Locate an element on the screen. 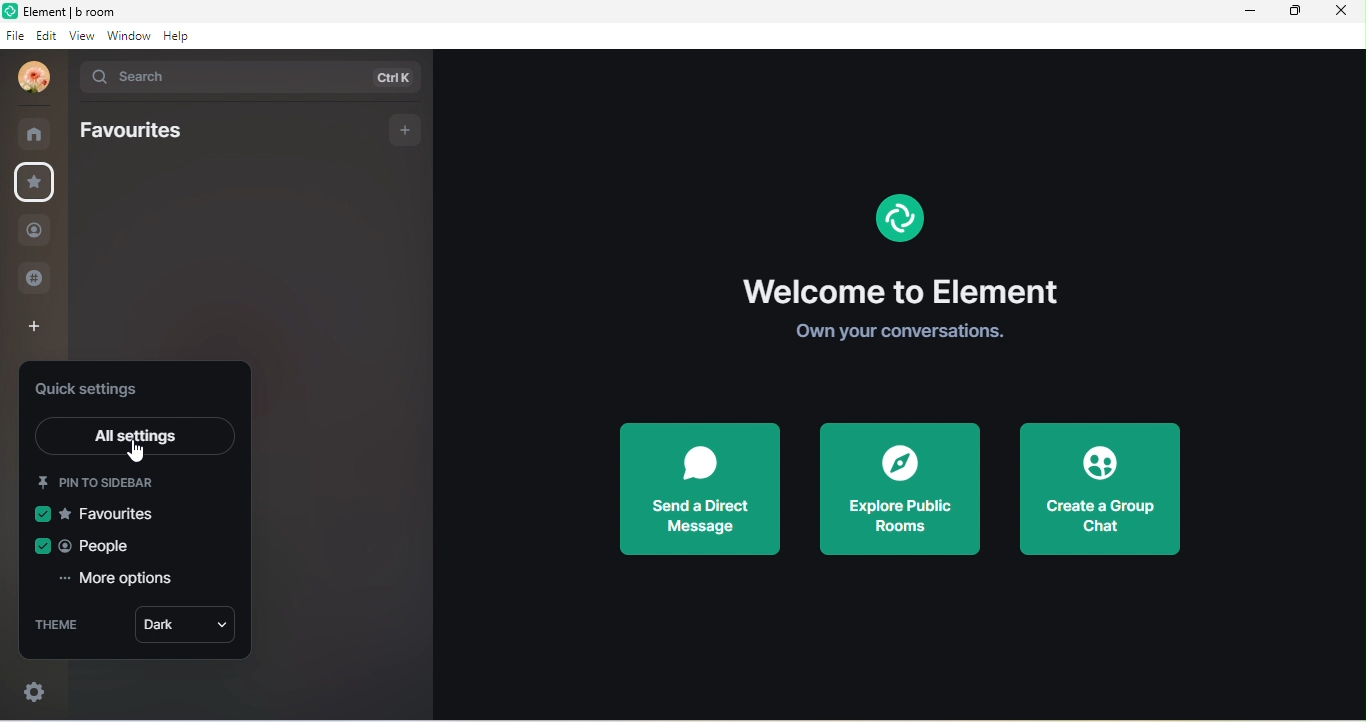  window is located at coordinates (130, 37).